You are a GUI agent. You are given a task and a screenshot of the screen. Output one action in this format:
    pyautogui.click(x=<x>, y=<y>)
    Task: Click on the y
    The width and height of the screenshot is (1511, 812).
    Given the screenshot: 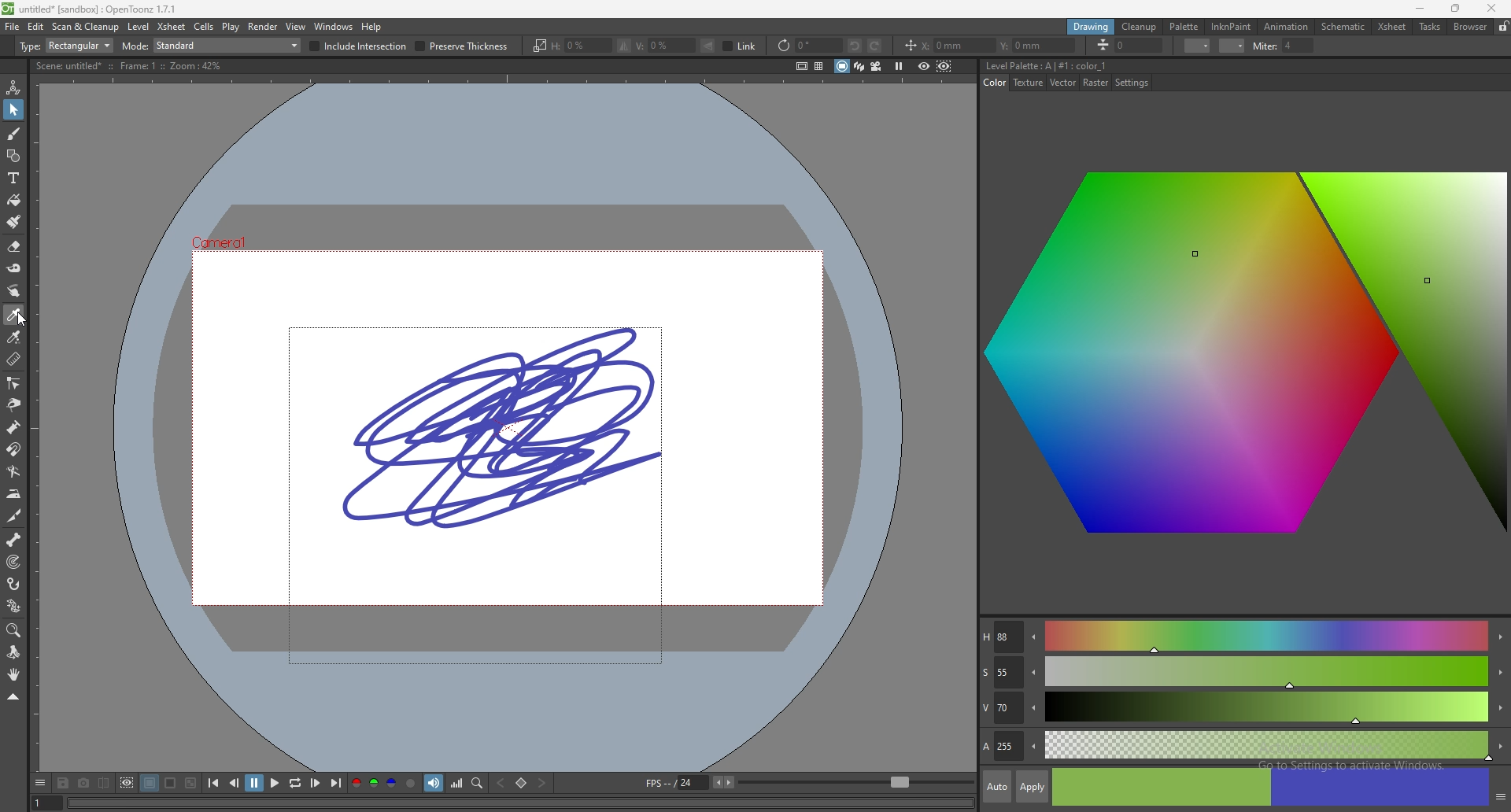 What is the action you would take?
    pyautogui.click(x=1038, y=46)
    